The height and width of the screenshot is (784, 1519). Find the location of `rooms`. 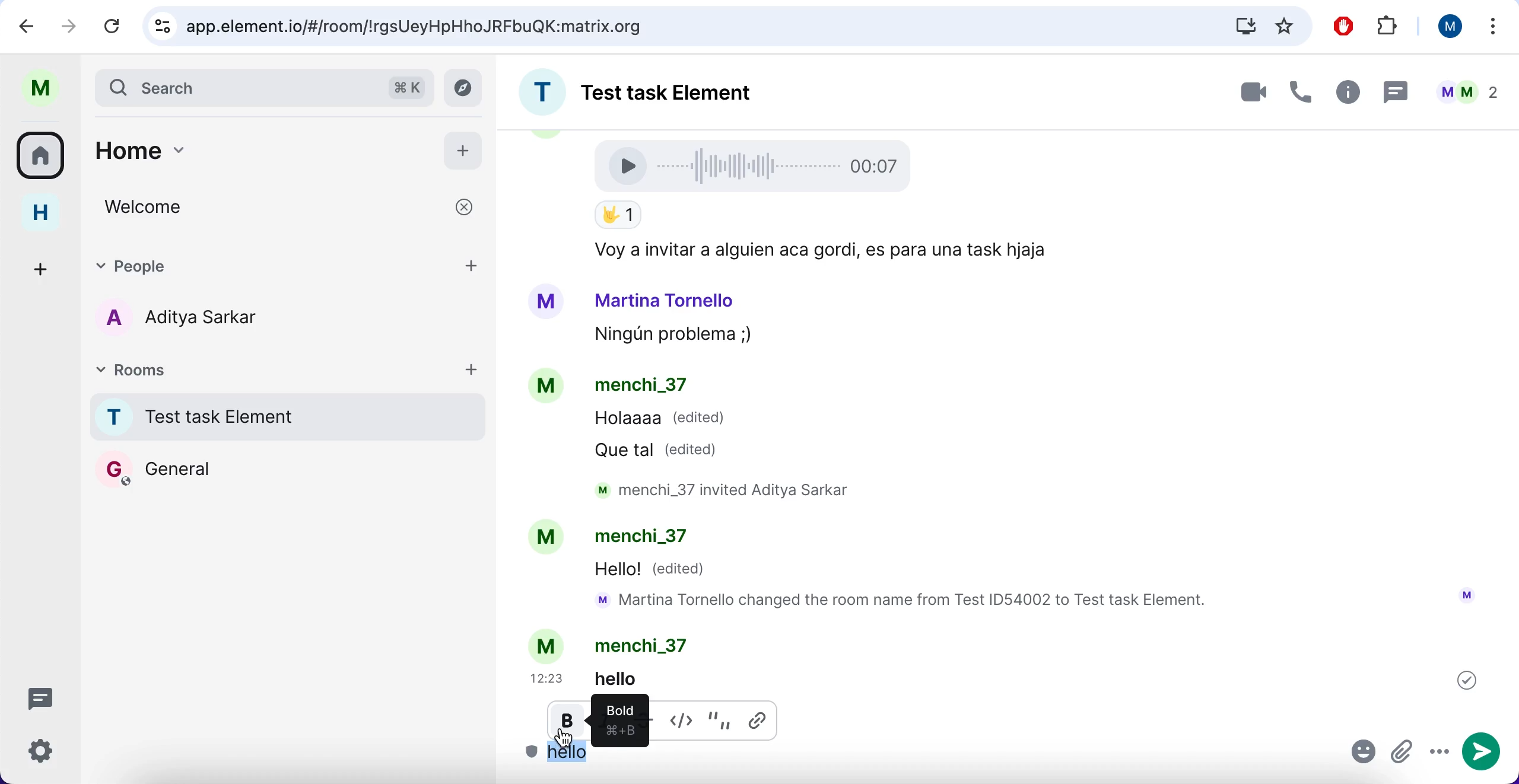

rooms is located at coordinates (195, 368).